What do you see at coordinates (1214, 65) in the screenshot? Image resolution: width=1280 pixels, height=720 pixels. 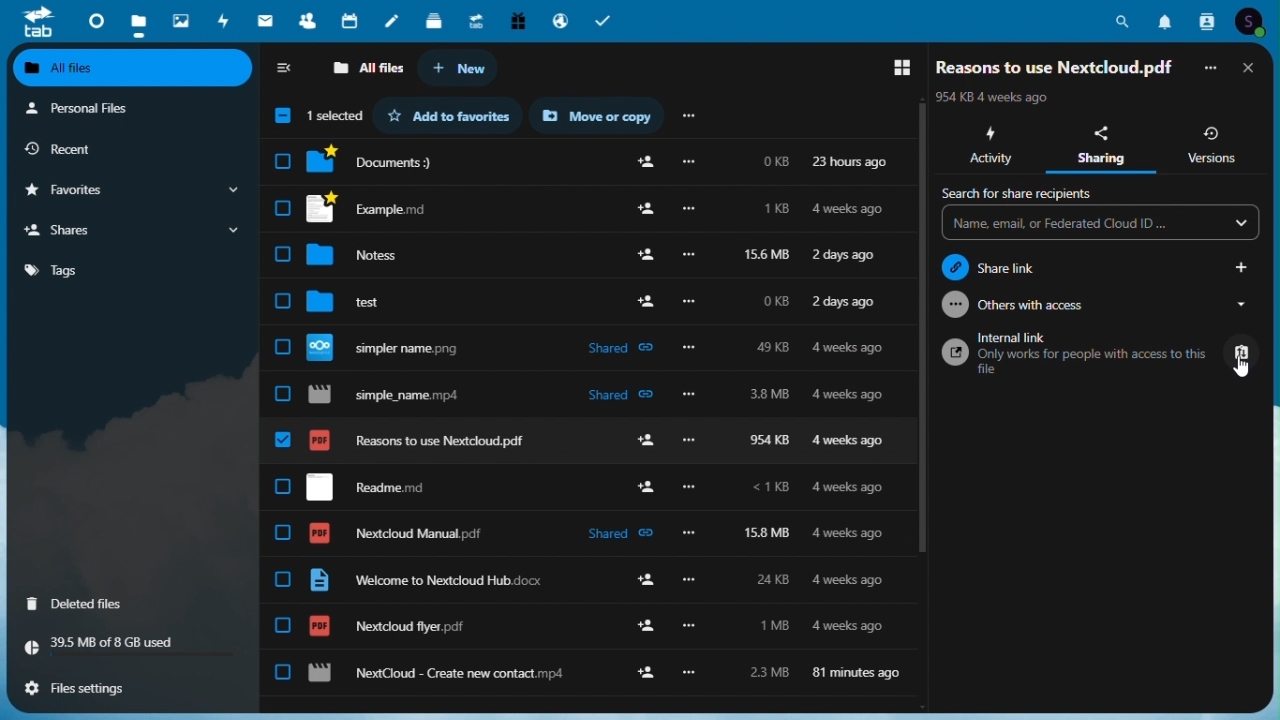 I see `More options` at bounding box center [1214, 65].